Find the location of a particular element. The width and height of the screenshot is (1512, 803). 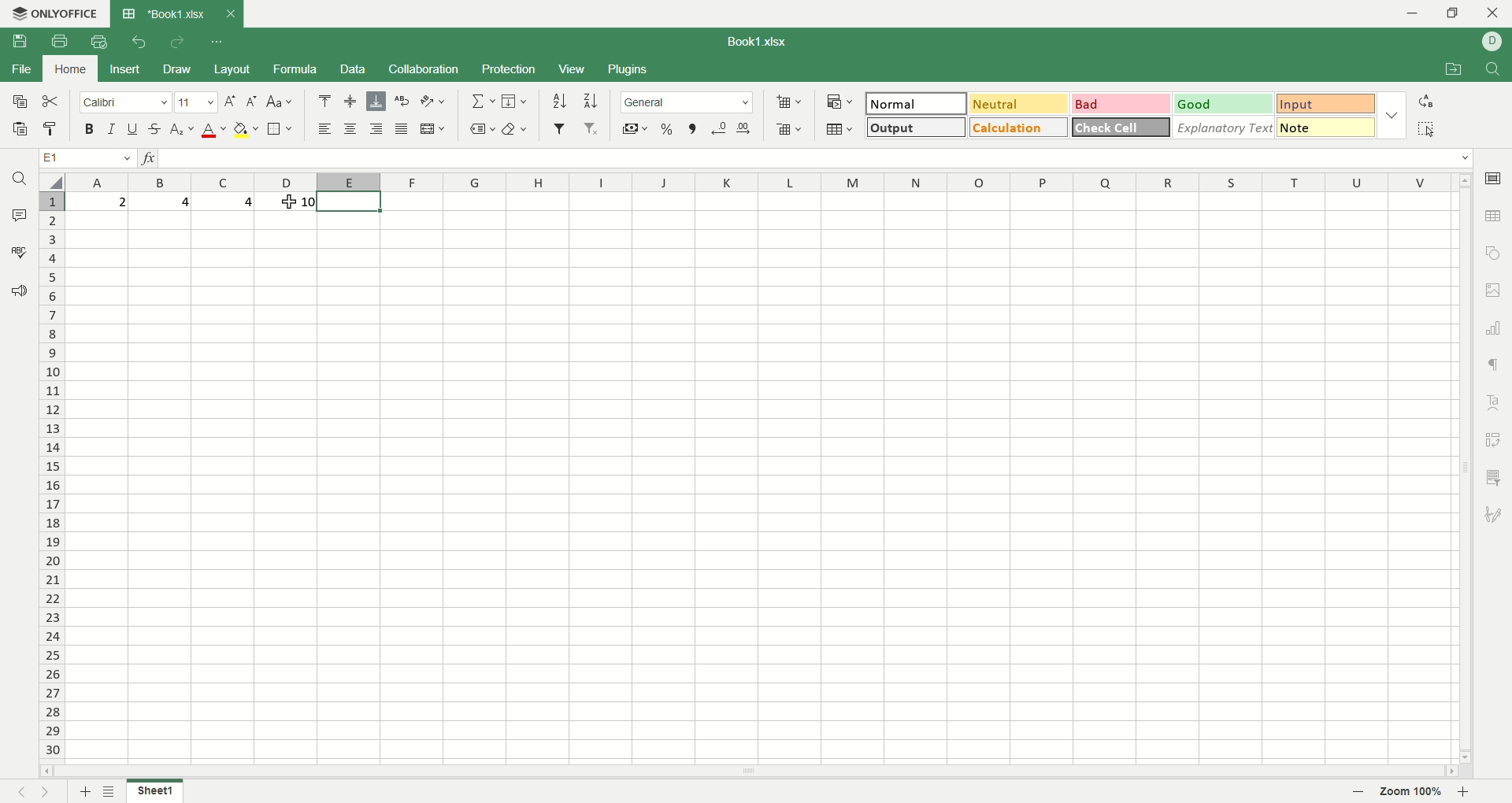

bold is located at coordinates (87, 128).